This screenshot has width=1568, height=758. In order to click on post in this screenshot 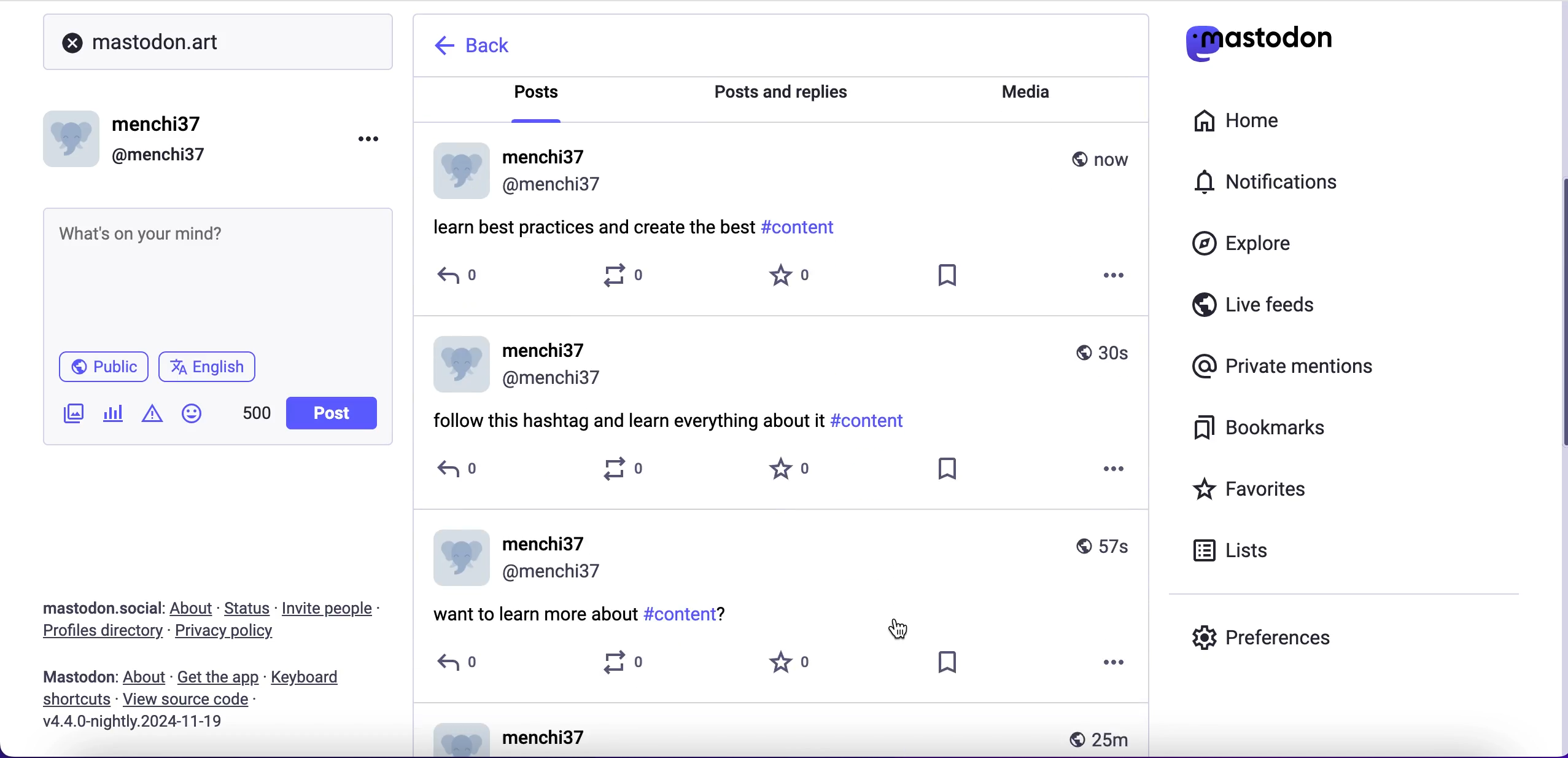, I will do `click(588, 614)`.